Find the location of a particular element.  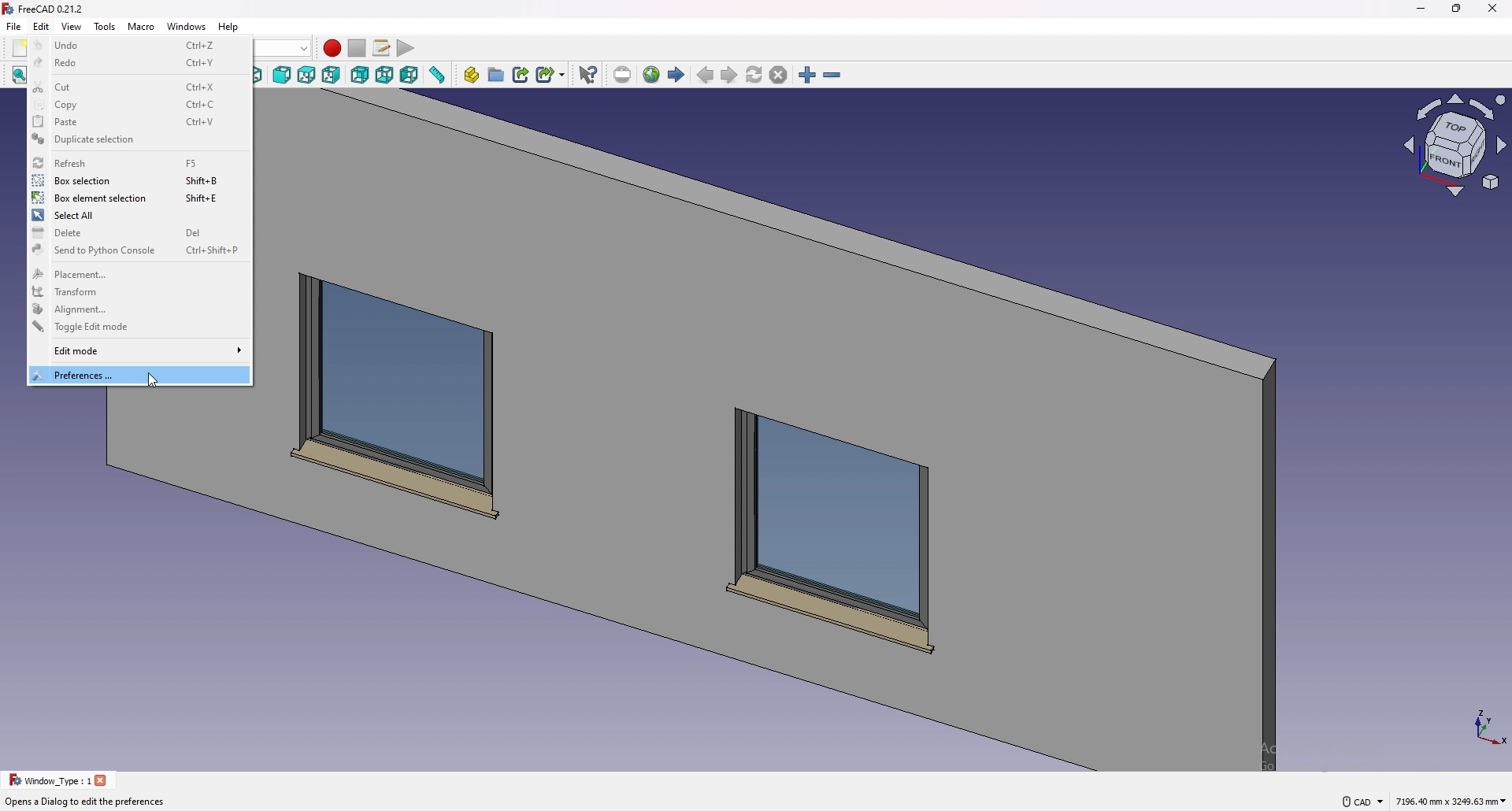

fit all is located at coordinates (17, 76).